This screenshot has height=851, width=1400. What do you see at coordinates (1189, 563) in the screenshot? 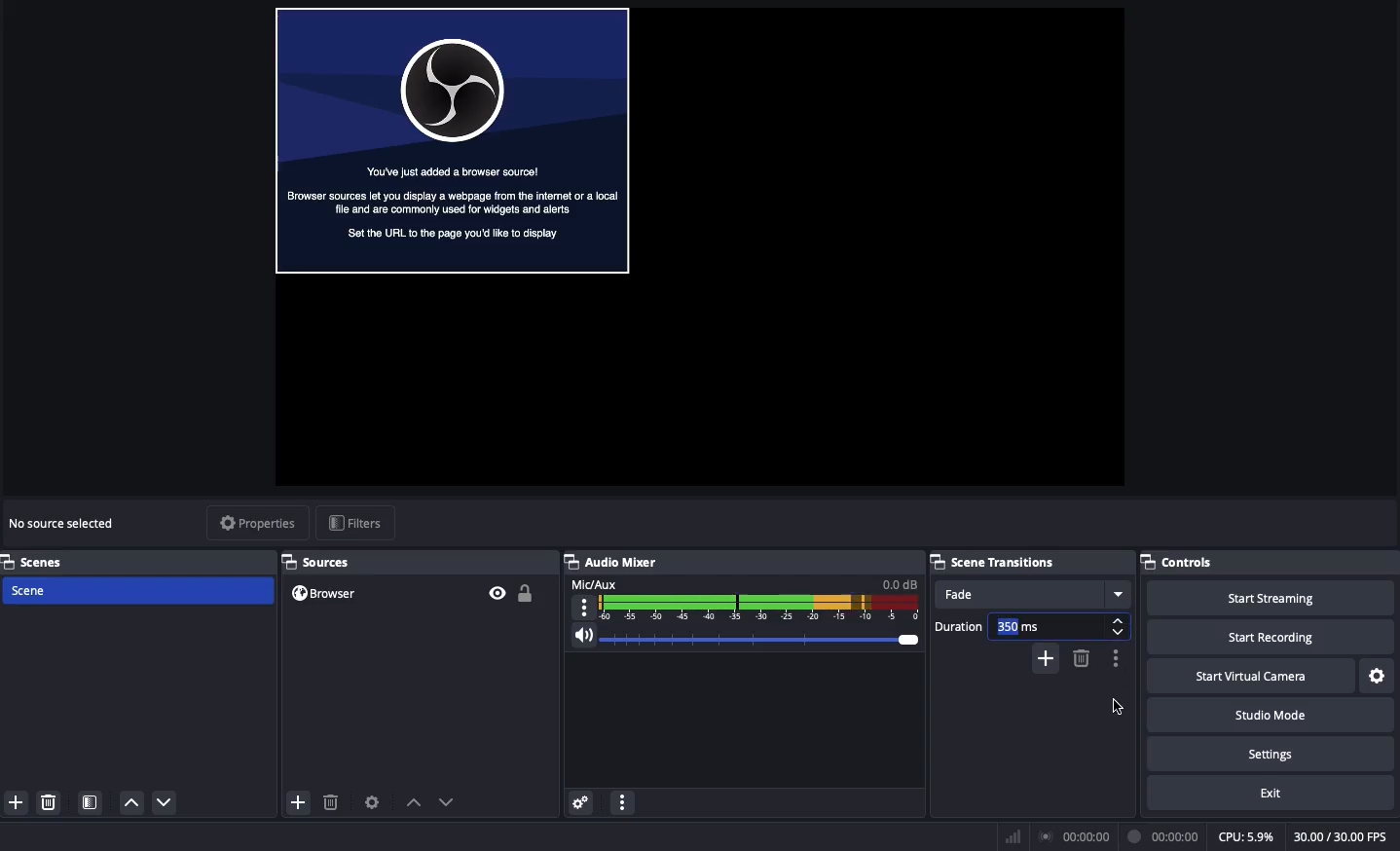
I see `Controls` at bounding box center [1189, 563].